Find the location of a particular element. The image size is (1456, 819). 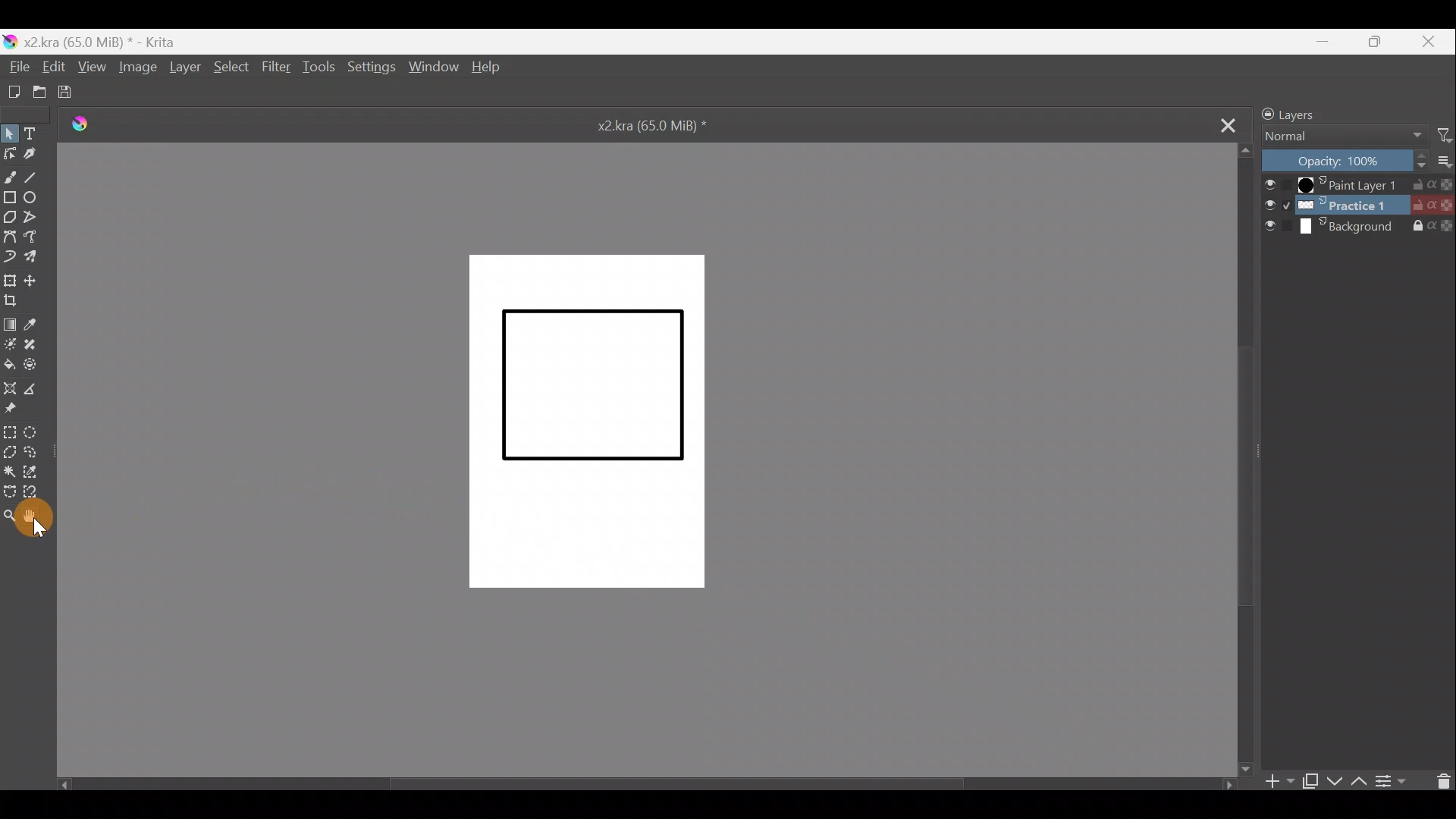

Calligraphy is located at coordinates (36, 155).